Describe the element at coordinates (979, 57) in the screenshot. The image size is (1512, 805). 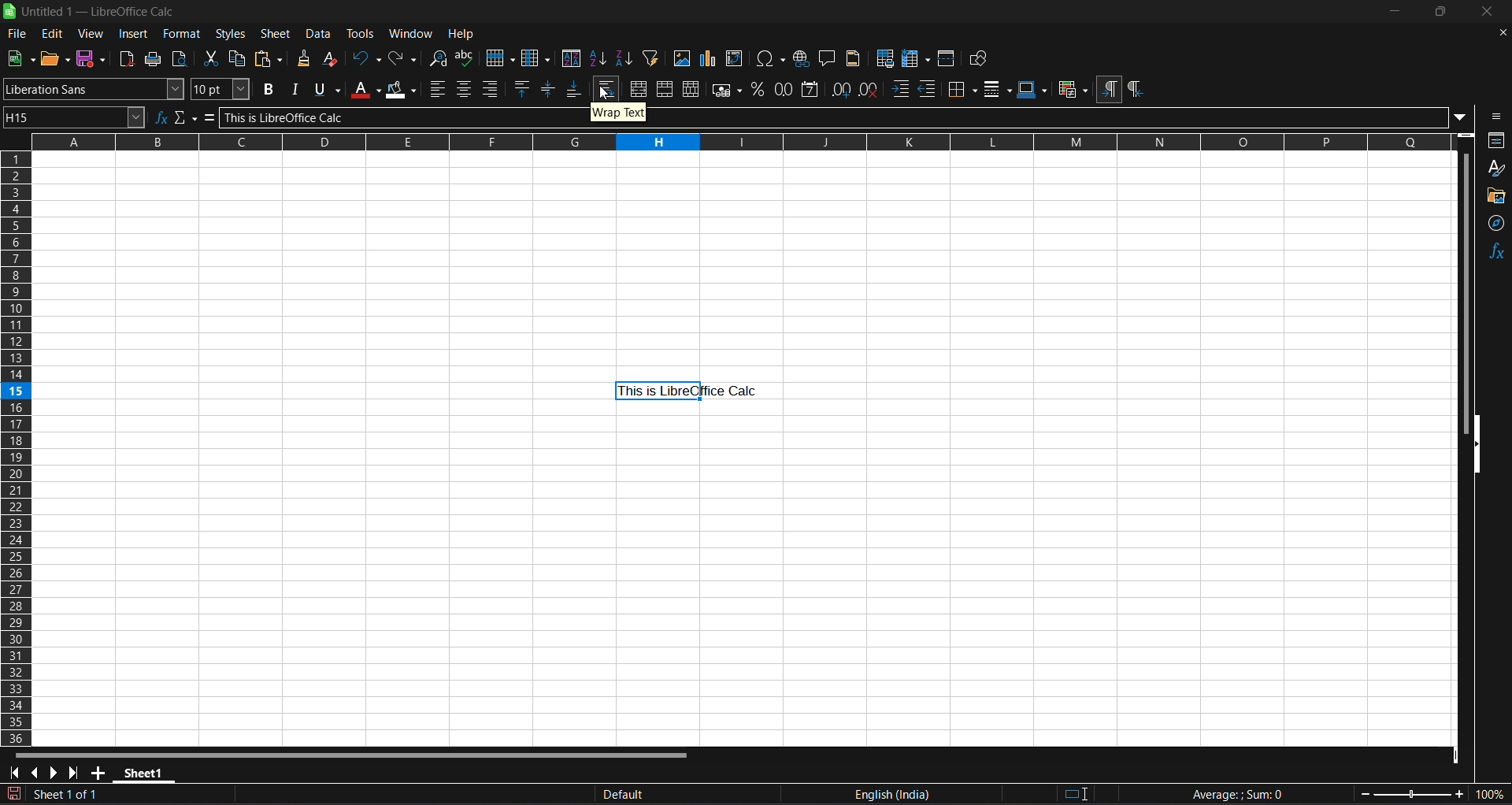
I see `show draw functions` at that location.